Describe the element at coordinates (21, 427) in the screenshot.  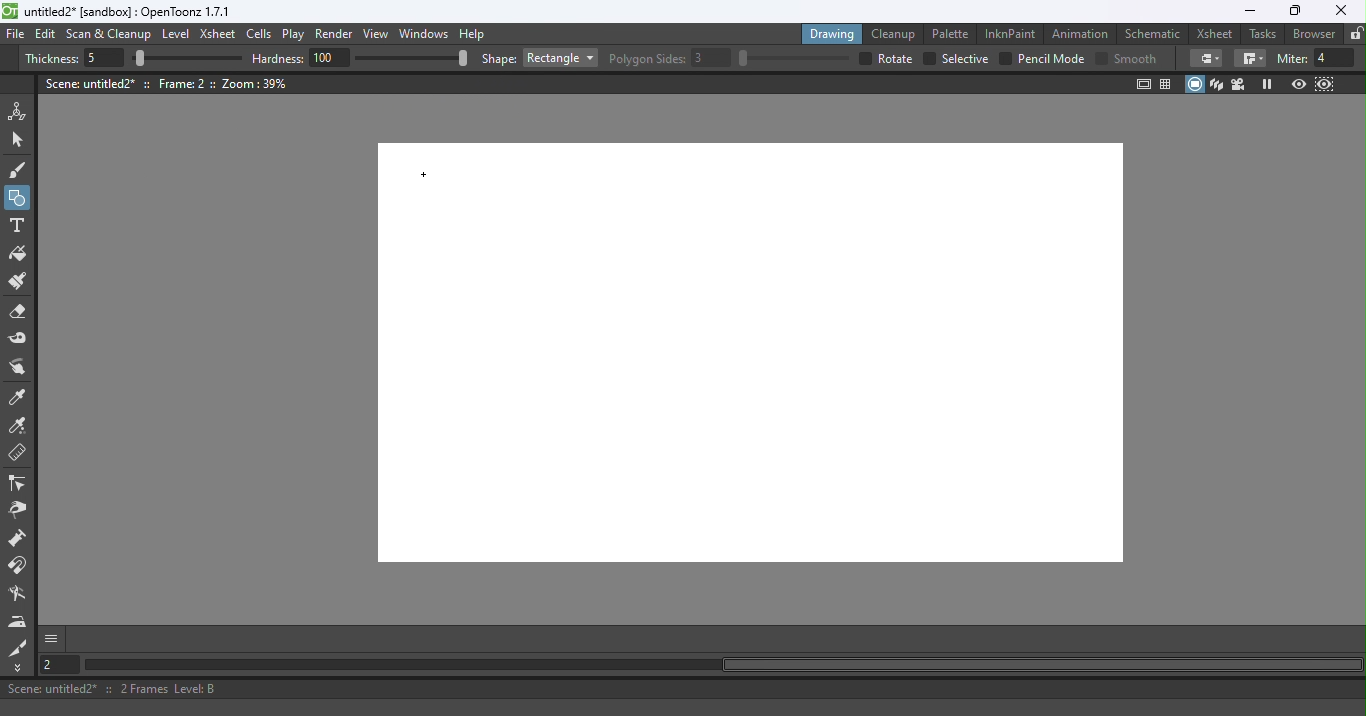
I see `RGB picker tool` at that location.